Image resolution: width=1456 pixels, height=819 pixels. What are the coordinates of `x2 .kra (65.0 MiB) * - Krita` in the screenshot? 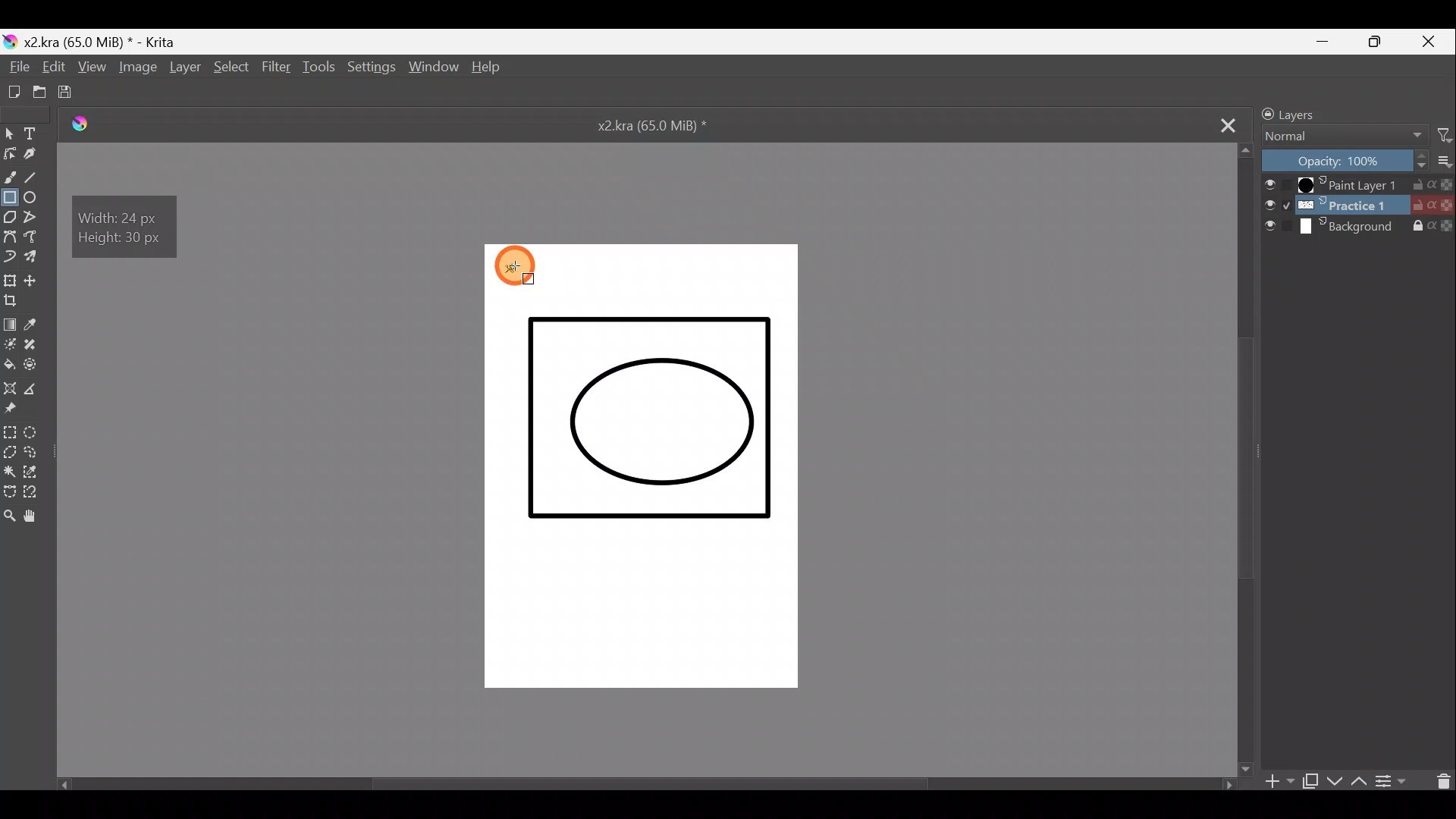 It's located at (112, 42).